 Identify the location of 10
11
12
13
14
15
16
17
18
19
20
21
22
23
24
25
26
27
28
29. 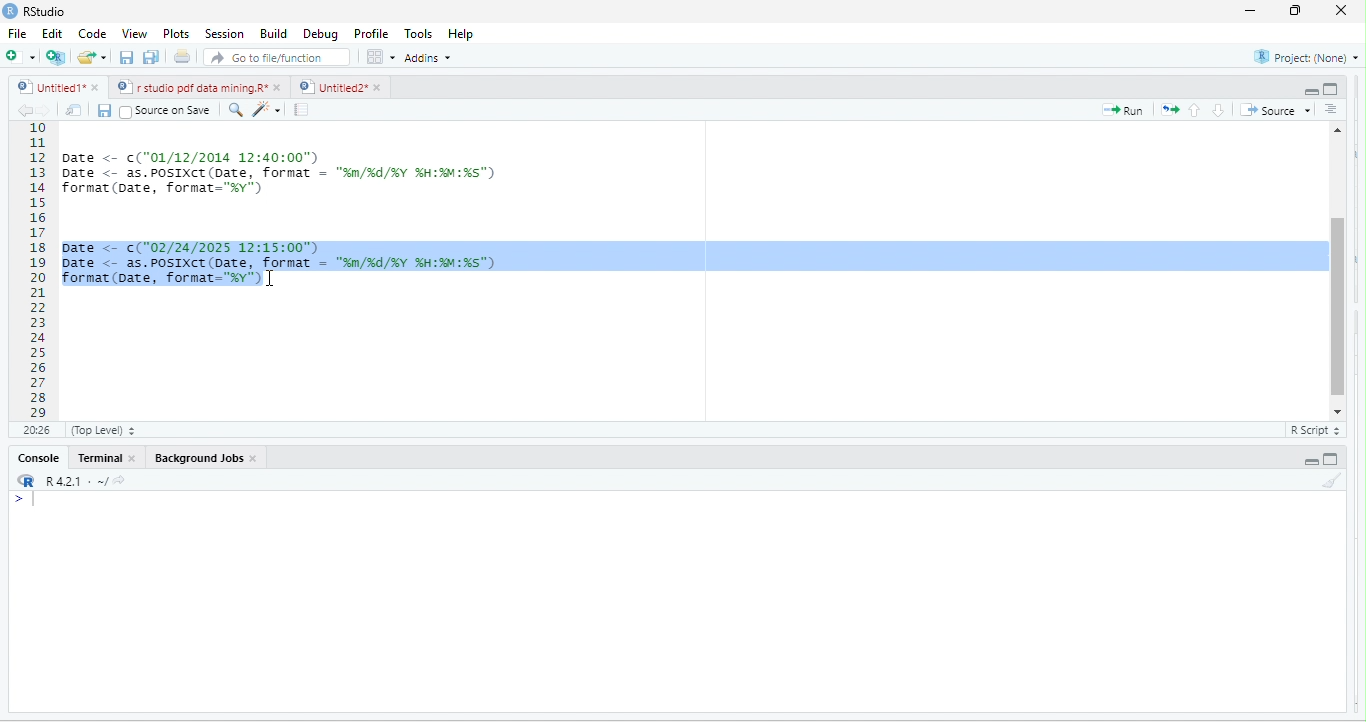
(30, 270).